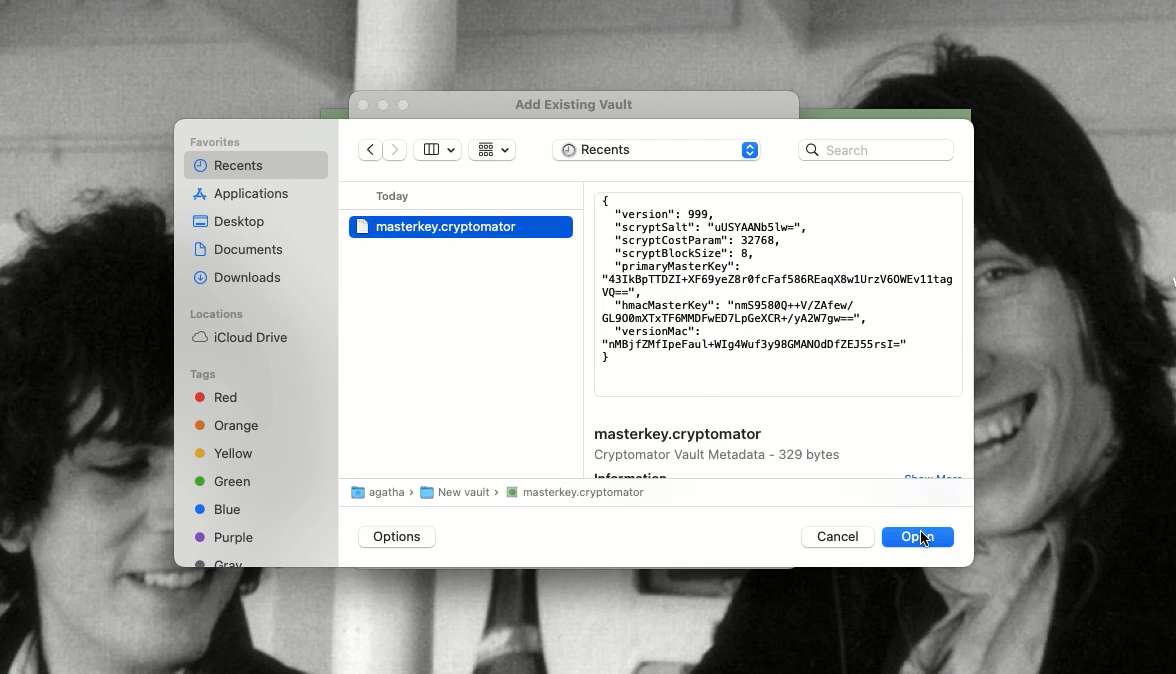 This screenshot has width=1176, height=674. I want to click on Yellow, so click(227, 454).